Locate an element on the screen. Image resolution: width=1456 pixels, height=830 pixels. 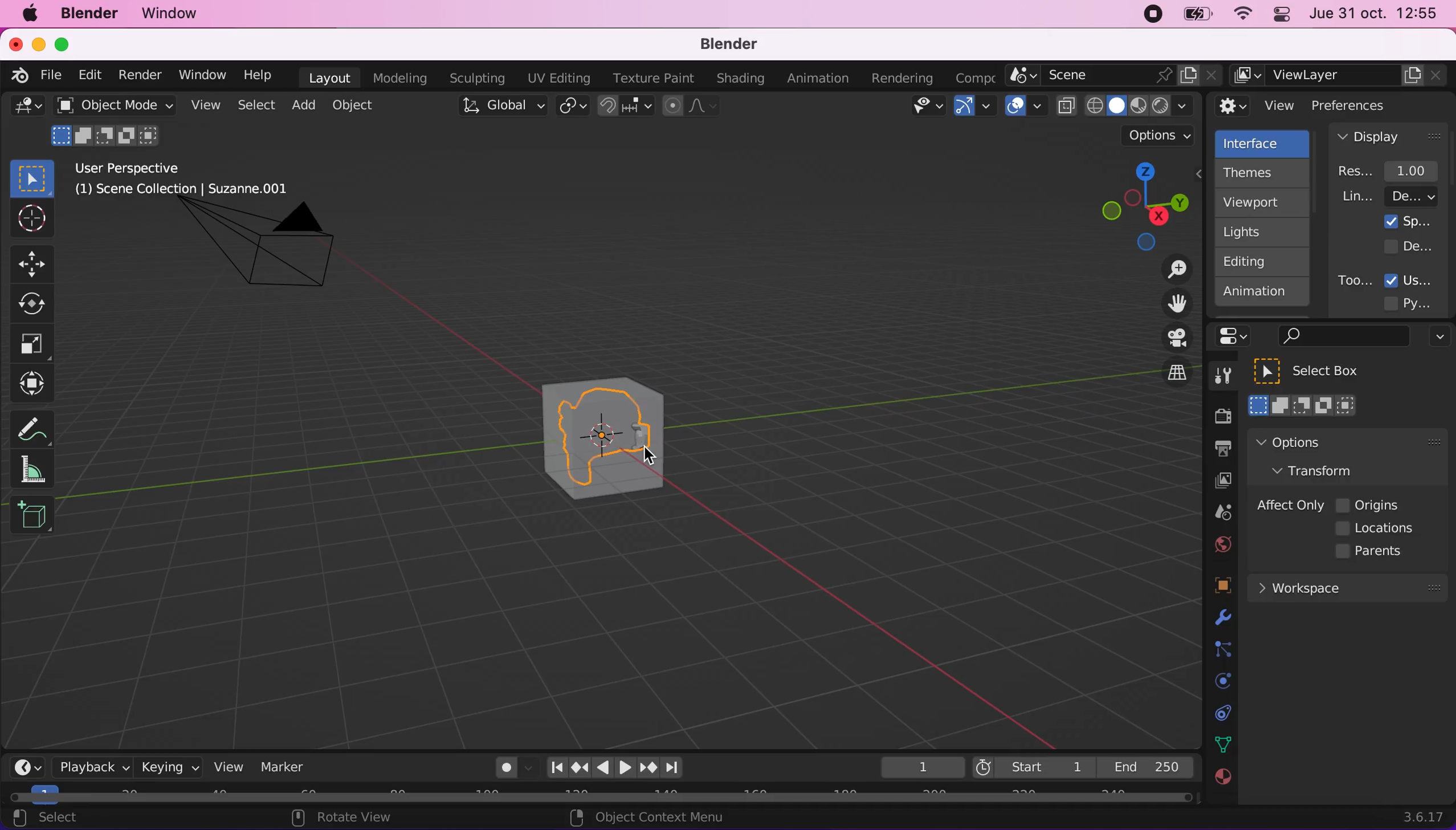
play is located at coordinates (615, 768).